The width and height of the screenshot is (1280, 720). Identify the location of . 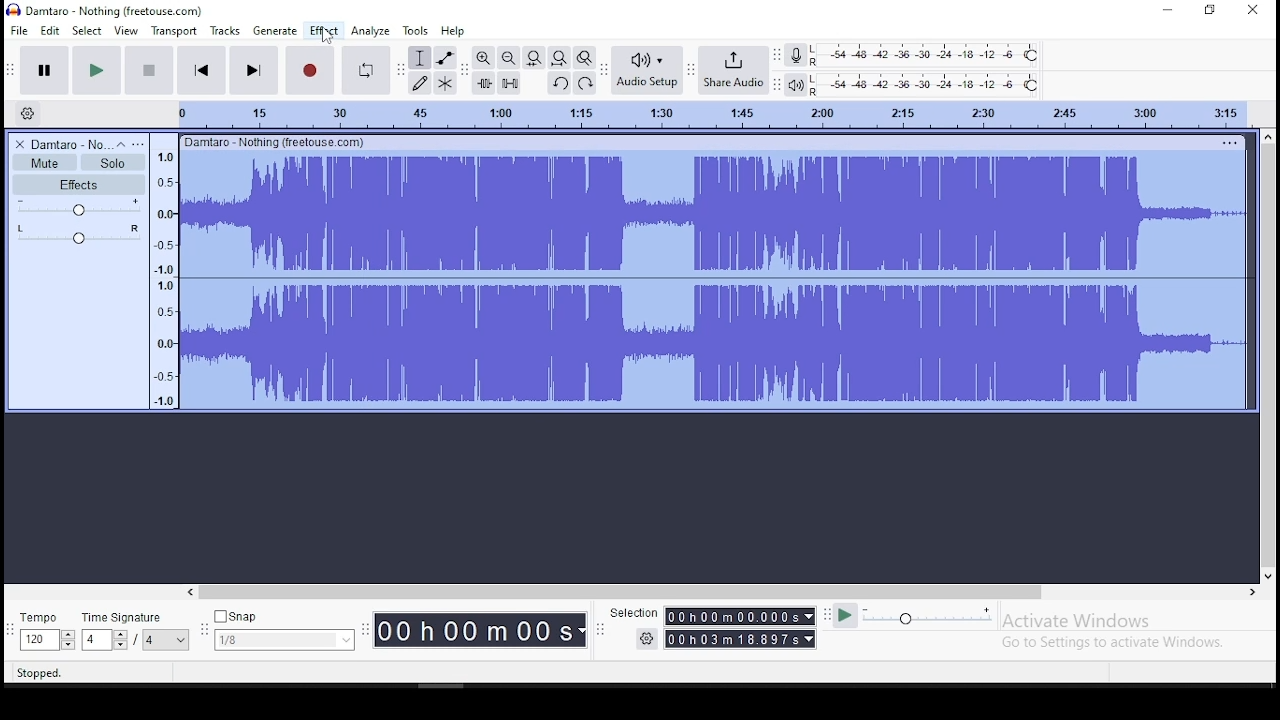
(775, 85).